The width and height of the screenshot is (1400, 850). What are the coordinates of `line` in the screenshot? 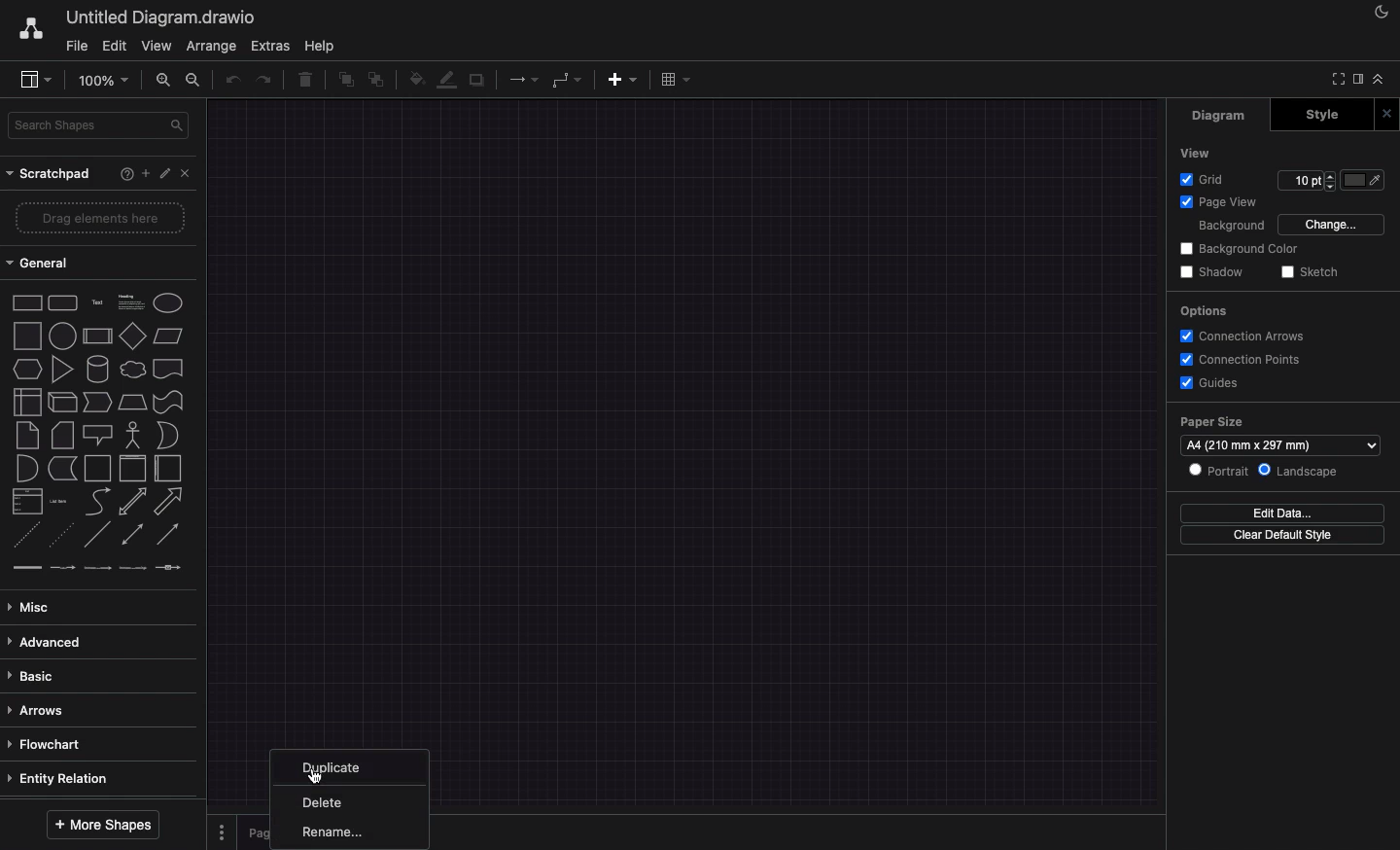 It's located at (100, 535).